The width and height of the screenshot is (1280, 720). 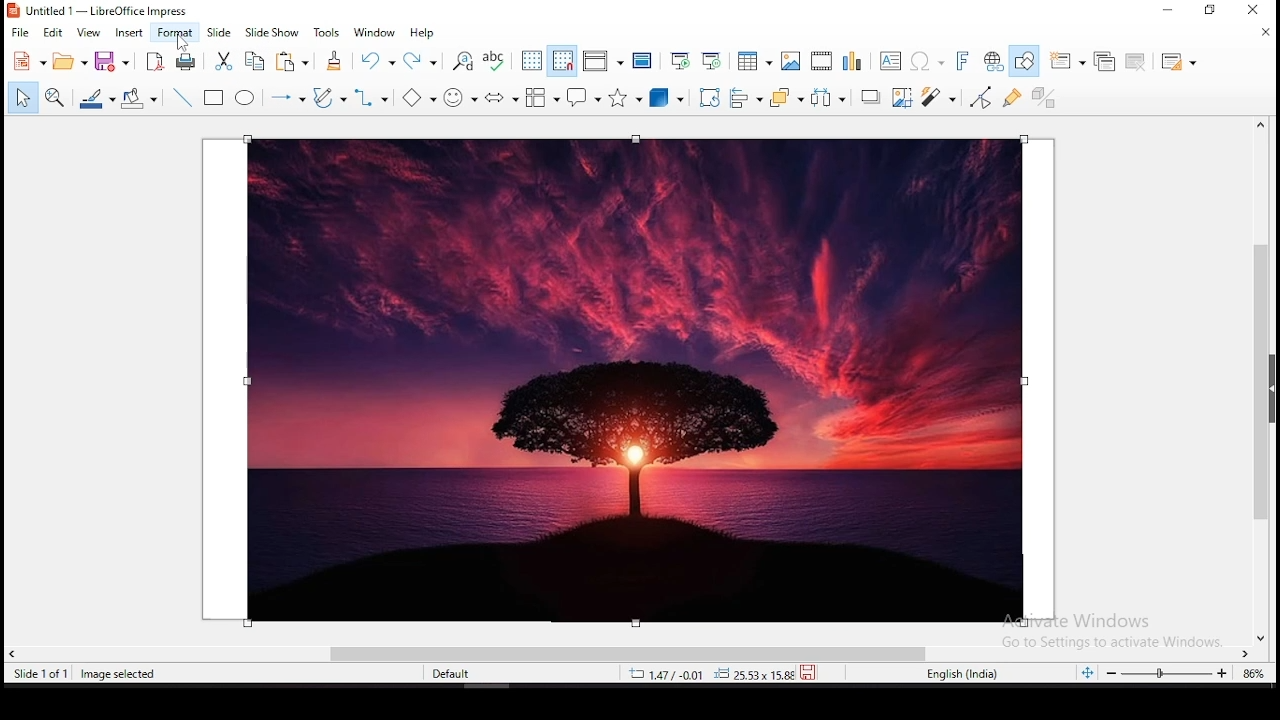 I want to click on distribute, so click(x=828, y=99).